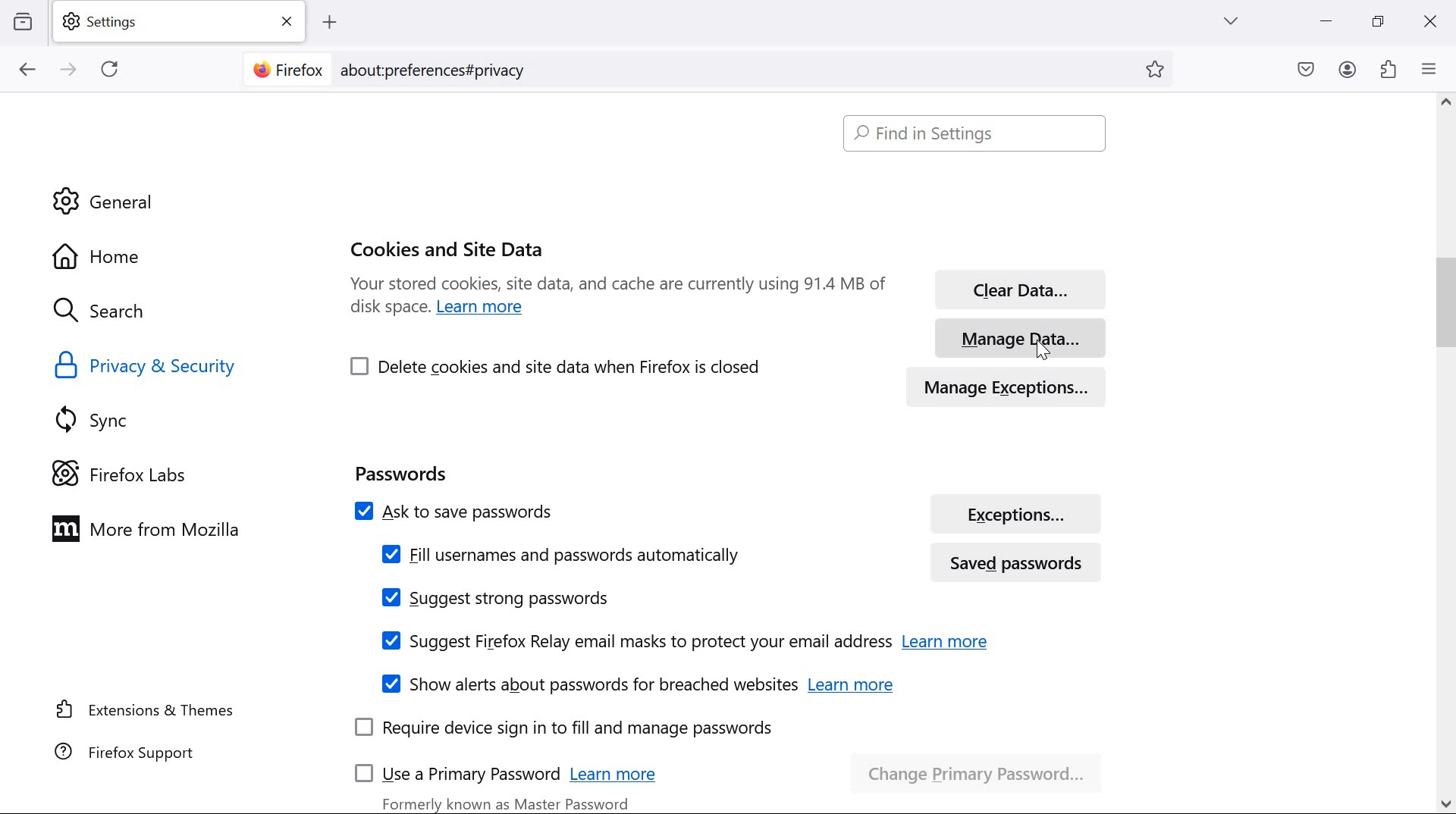 The height and width of the screenshot is (814, 1456). What do you see at coordinates (140, 255) in the screenshot?
I see `Home` at bounding box center [140, 255].